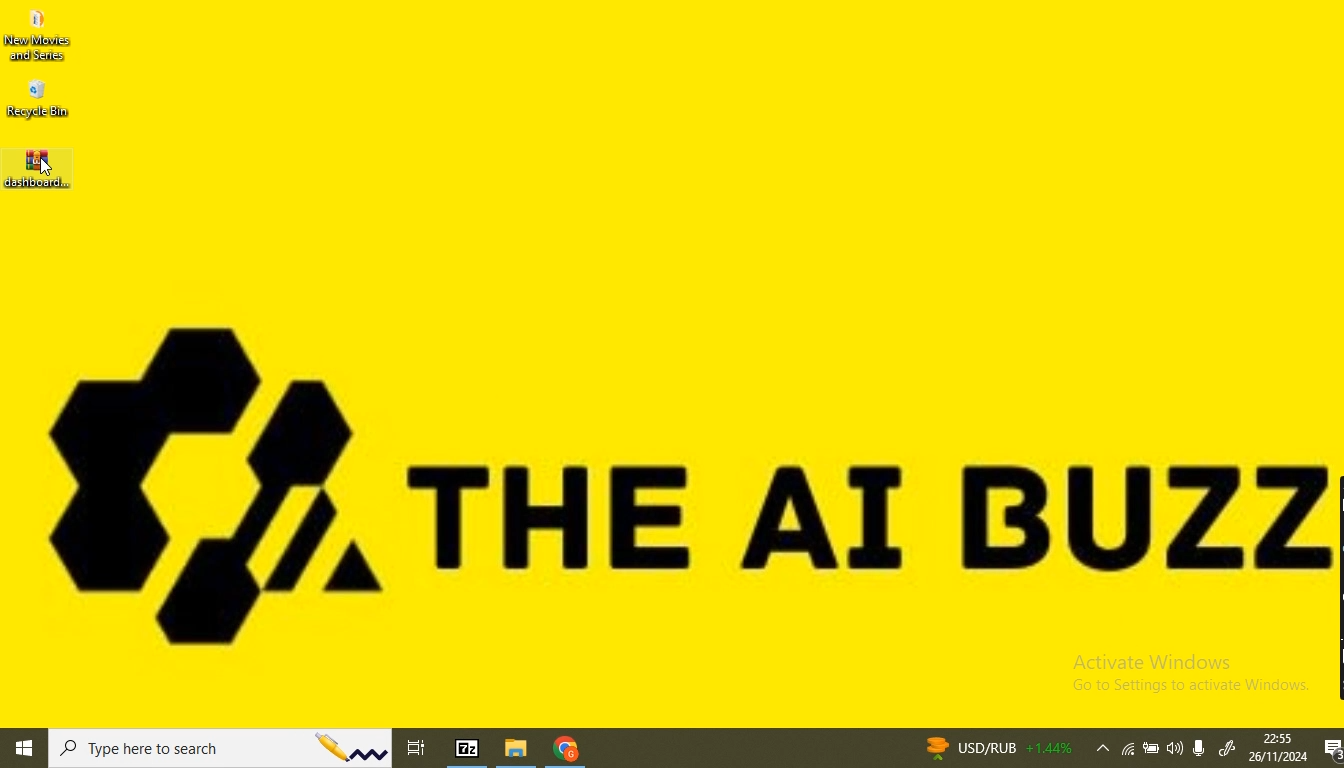  Describe the element at coordinates (565, 751) in the screenshot. I see `chrome` at that location.